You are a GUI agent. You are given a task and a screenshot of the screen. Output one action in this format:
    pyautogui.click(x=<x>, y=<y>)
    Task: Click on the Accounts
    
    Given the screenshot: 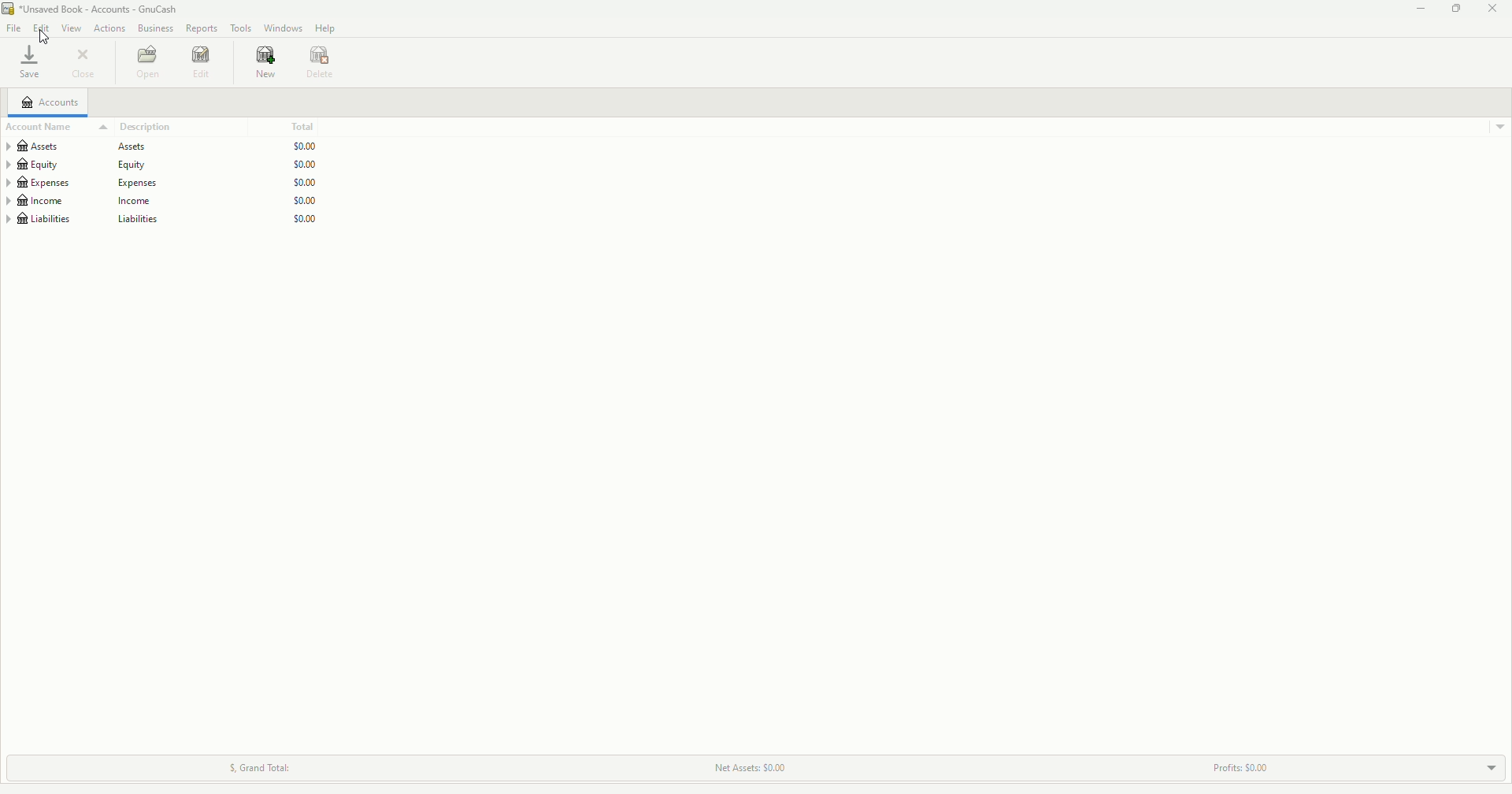 What is the action you would take?
    pyautogui.click(x=51, y=103)
    